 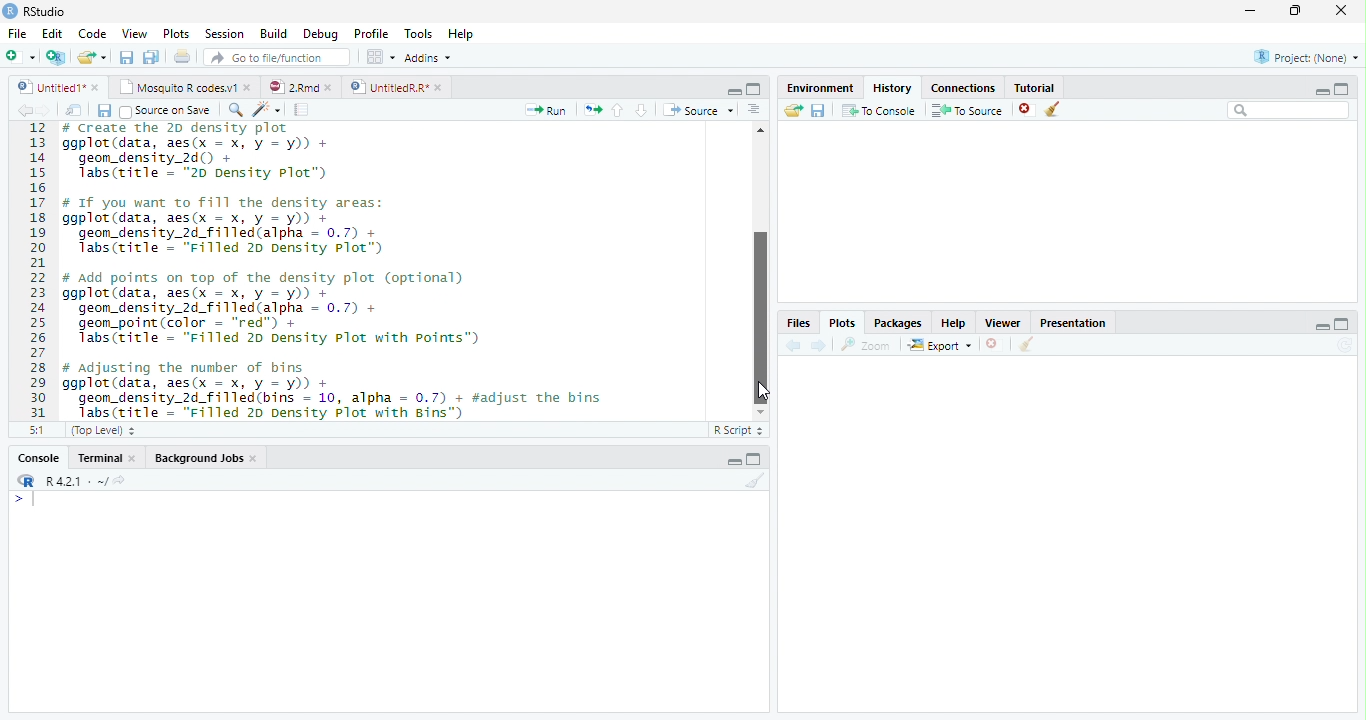 What do you see at coordinates (939, 346) in the screenshot?
I see `export` at bounding box center [939, 346].